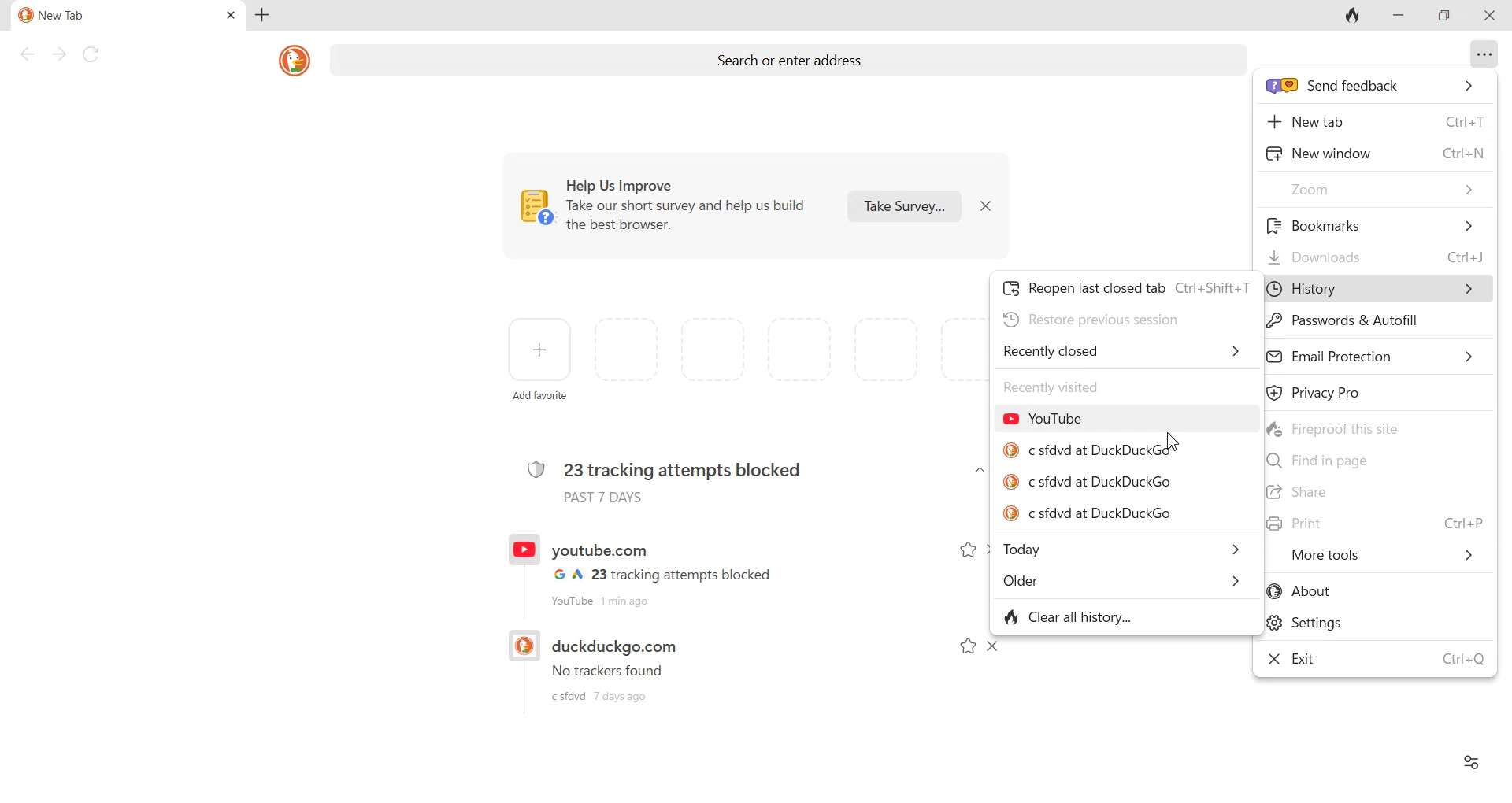 The width and height of the screenshot is (1512, 803). What do you see at coordinates (103, 15) in the screenshot?
I see `Current tab` at bounding box center [103, 15].